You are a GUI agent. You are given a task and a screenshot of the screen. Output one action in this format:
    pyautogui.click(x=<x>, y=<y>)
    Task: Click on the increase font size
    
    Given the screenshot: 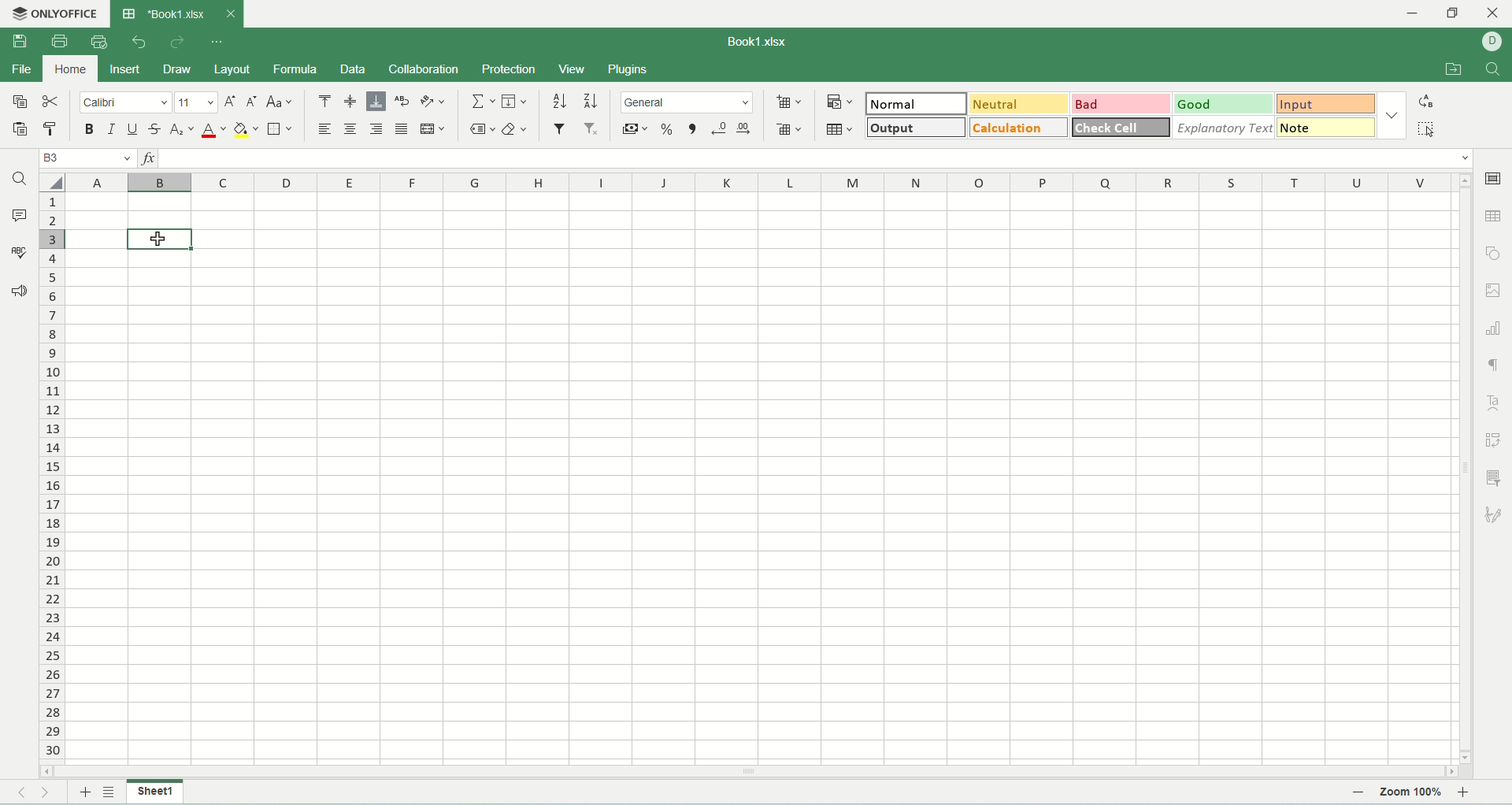 What is the action you would take?
    pyautogui.click(x=230, y=103)
    